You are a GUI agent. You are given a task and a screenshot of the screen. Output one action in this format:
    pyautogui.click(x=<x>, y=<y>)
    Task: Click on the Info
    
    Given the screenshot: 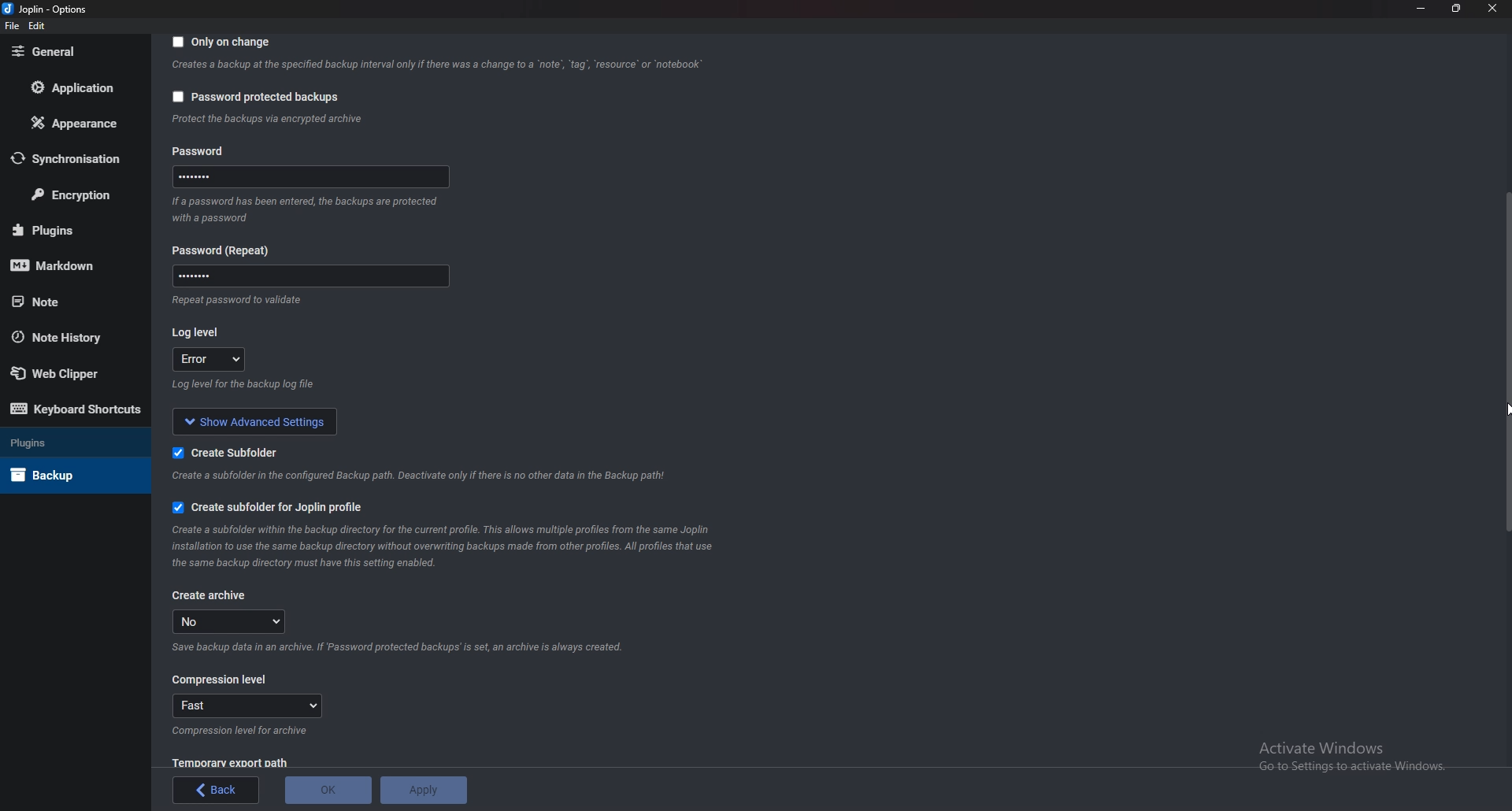 What is the action you would take?
    pyautogui.click(x=310, y=209)
    